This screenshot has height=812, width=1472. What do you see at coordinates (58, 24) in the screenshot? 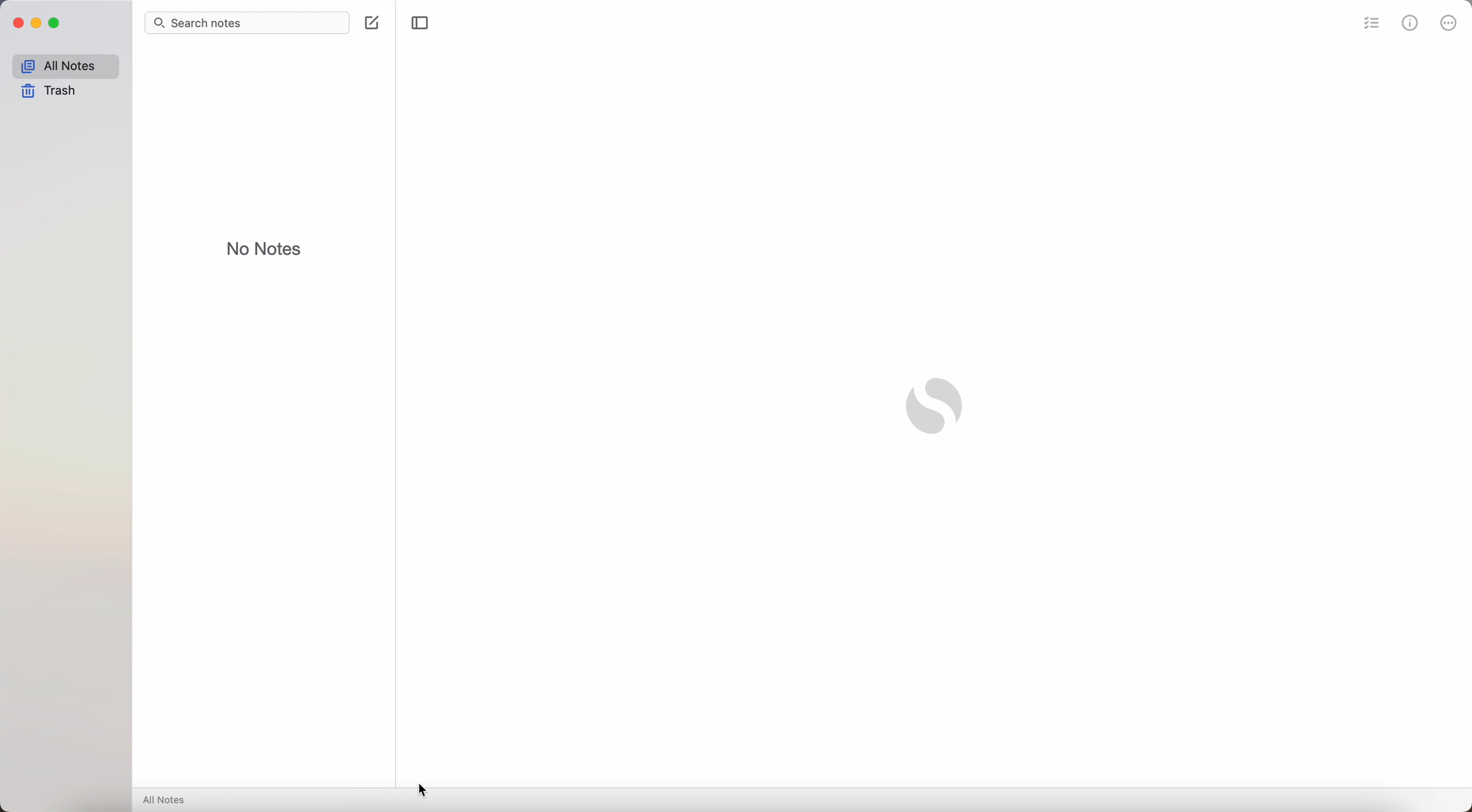
I see `maximize` at bounding box center [58, 24].